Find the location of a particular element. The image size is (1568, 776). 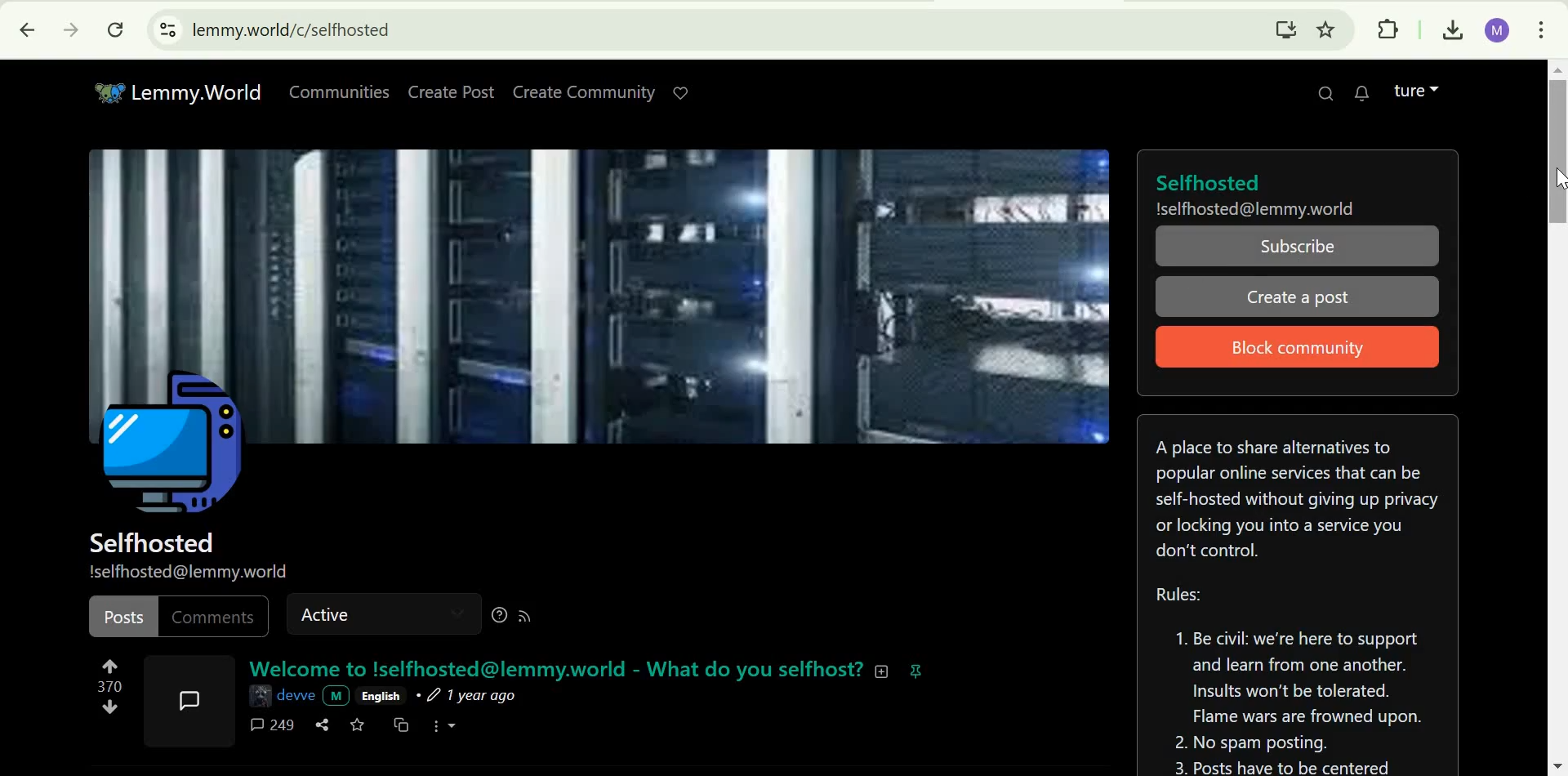

370 points is located at coordinates (109, 685).